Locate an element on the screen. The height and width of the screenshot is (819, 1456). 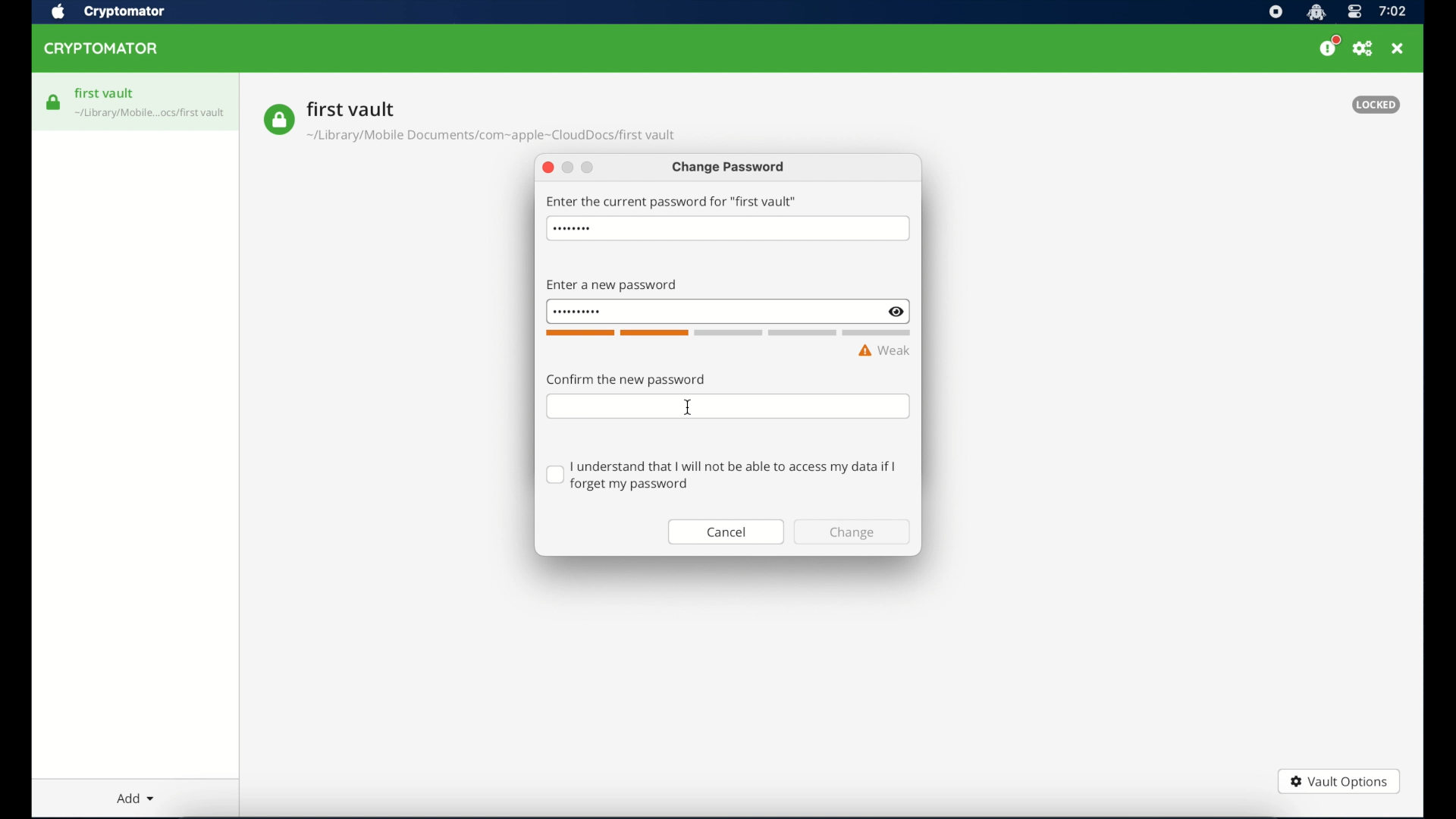
vault icon is located at coordinates (278, 120).